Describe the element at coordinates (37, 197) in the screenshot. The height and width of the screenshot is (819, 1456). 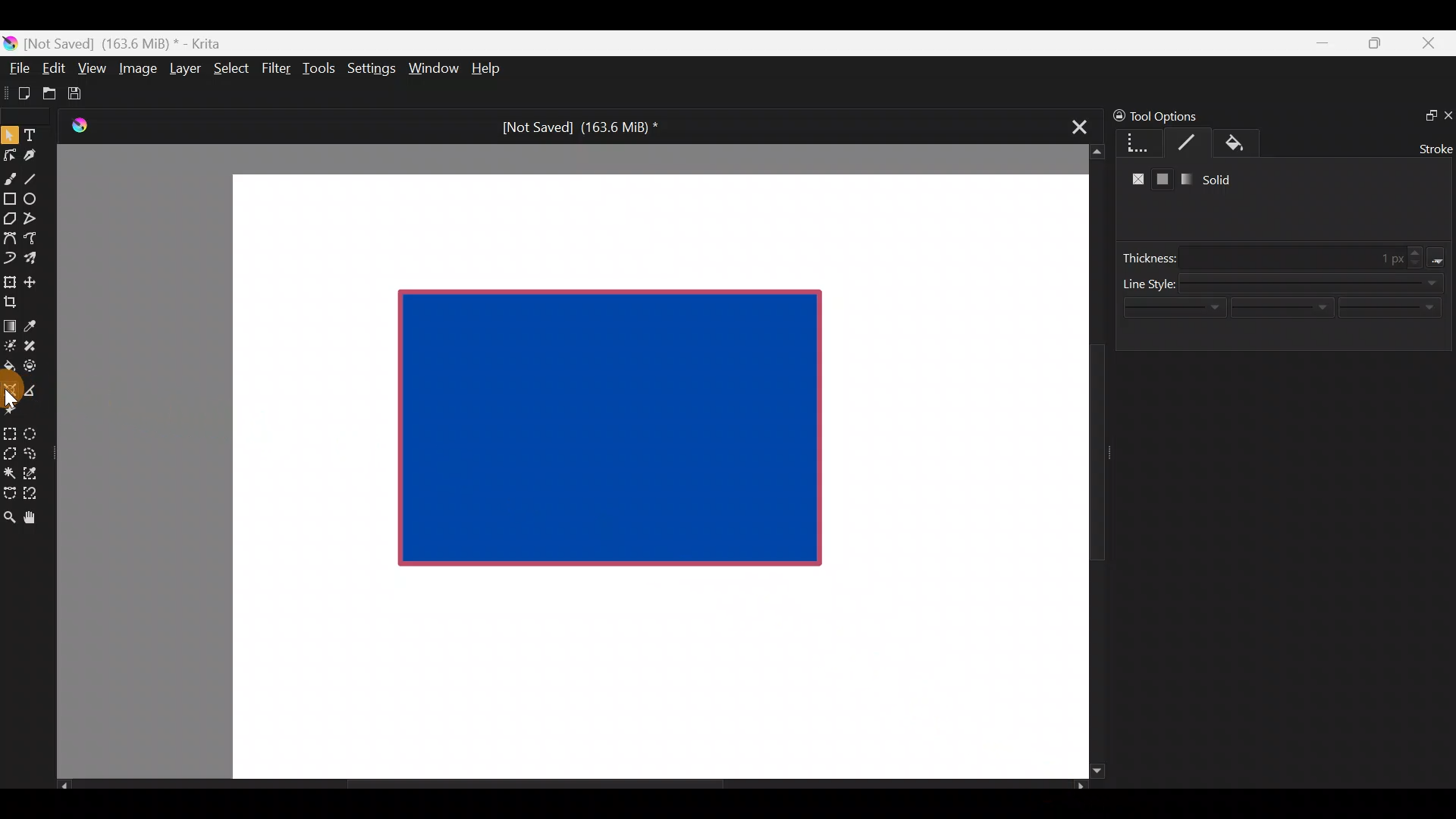
I see `Ellipse tool` at that location.